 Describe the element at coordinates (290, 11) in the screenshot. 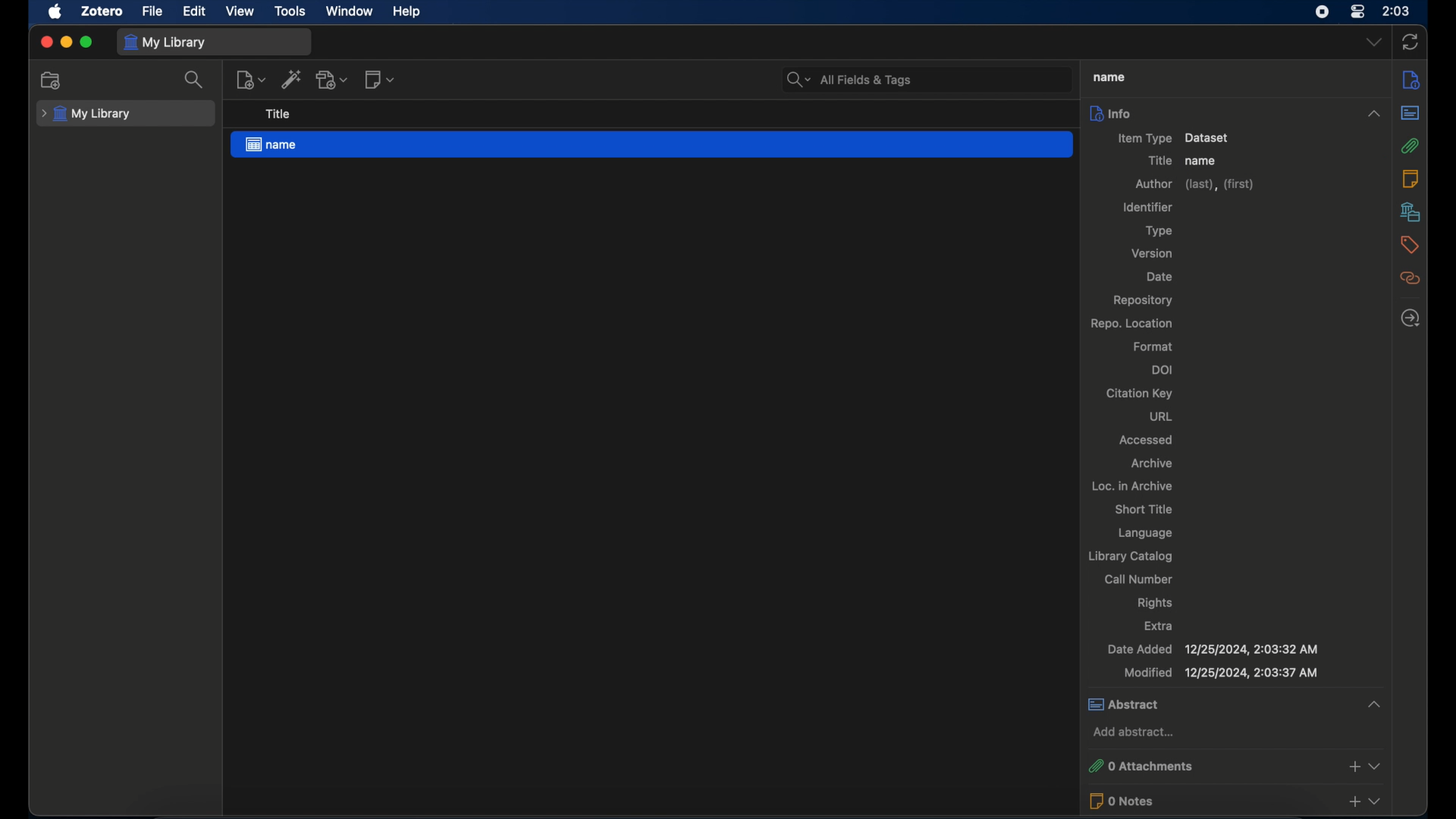

I see `tools` at that location.